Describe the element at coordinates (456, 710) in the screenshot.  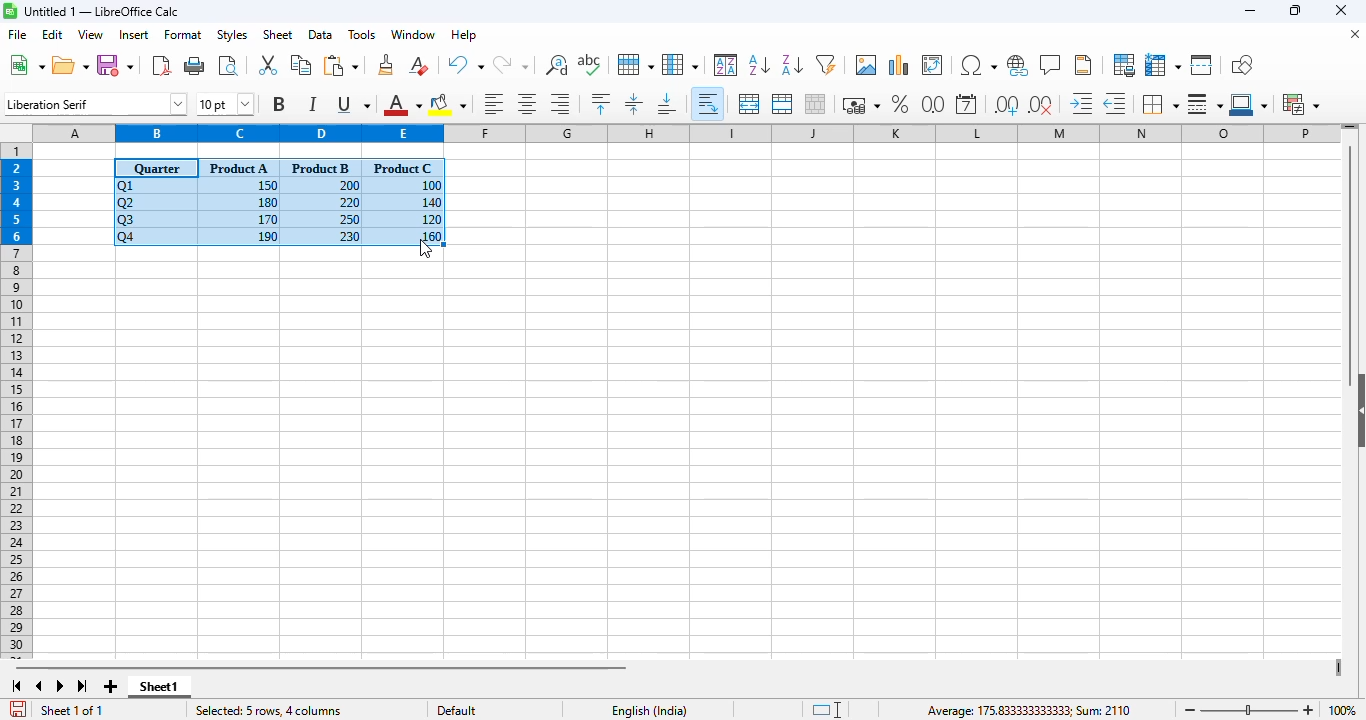
I see `default` at that location.